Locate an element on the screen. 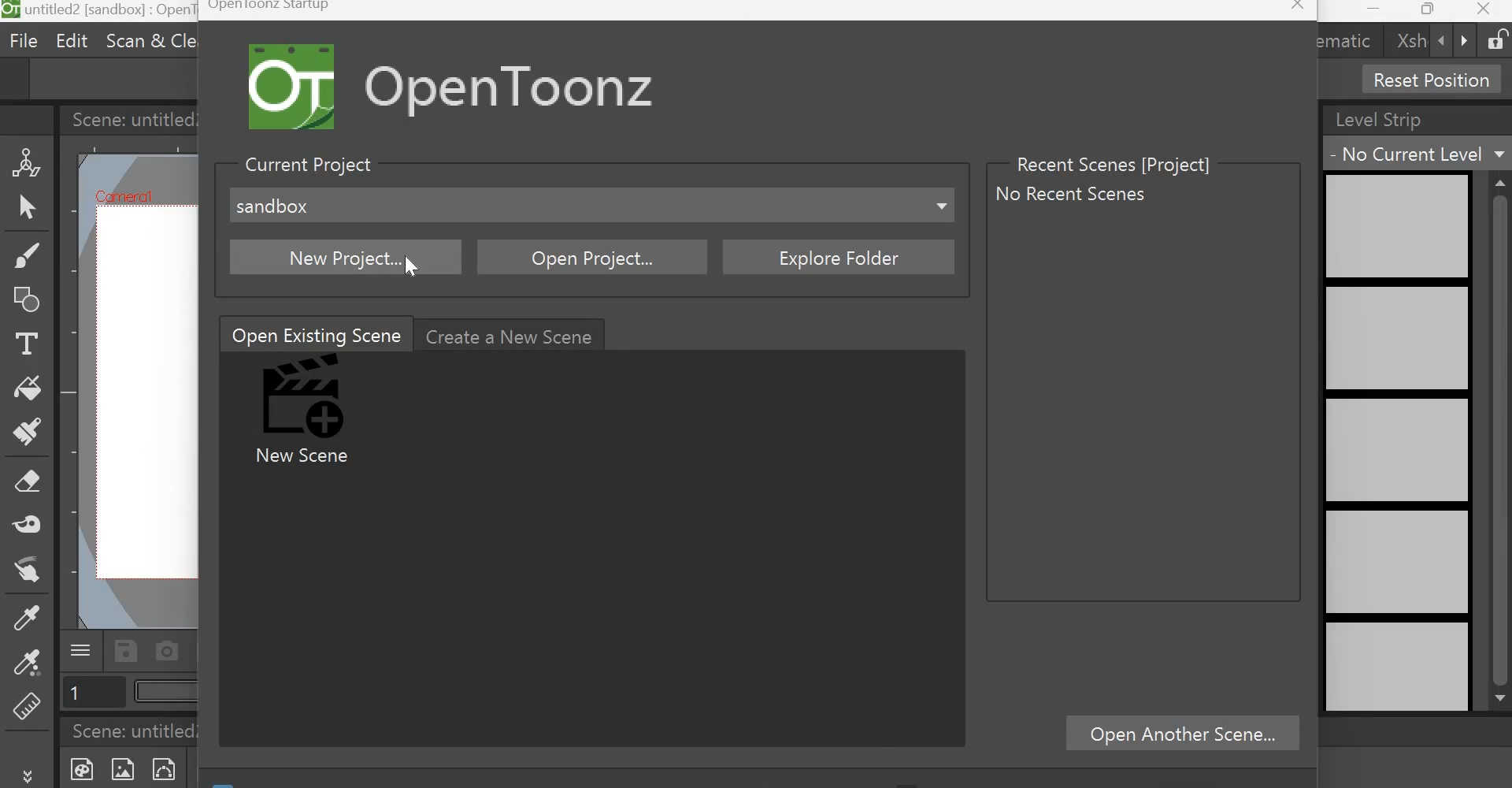 The image size is (1512, 788). New Vector level is located at coordinates (172, 768).